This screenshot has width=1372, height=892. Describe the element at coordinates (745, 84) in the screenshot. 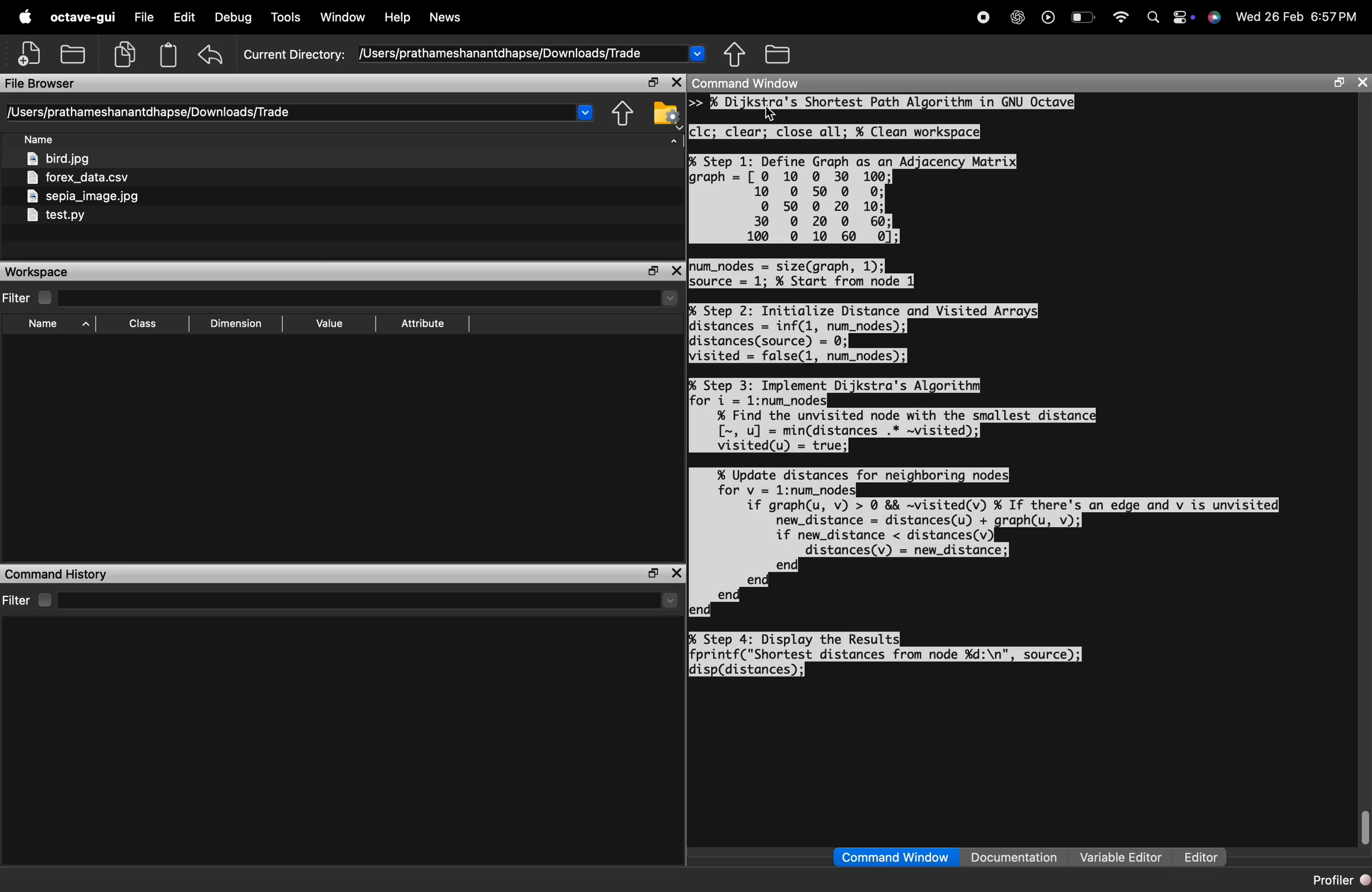

I see `command window` at that location.